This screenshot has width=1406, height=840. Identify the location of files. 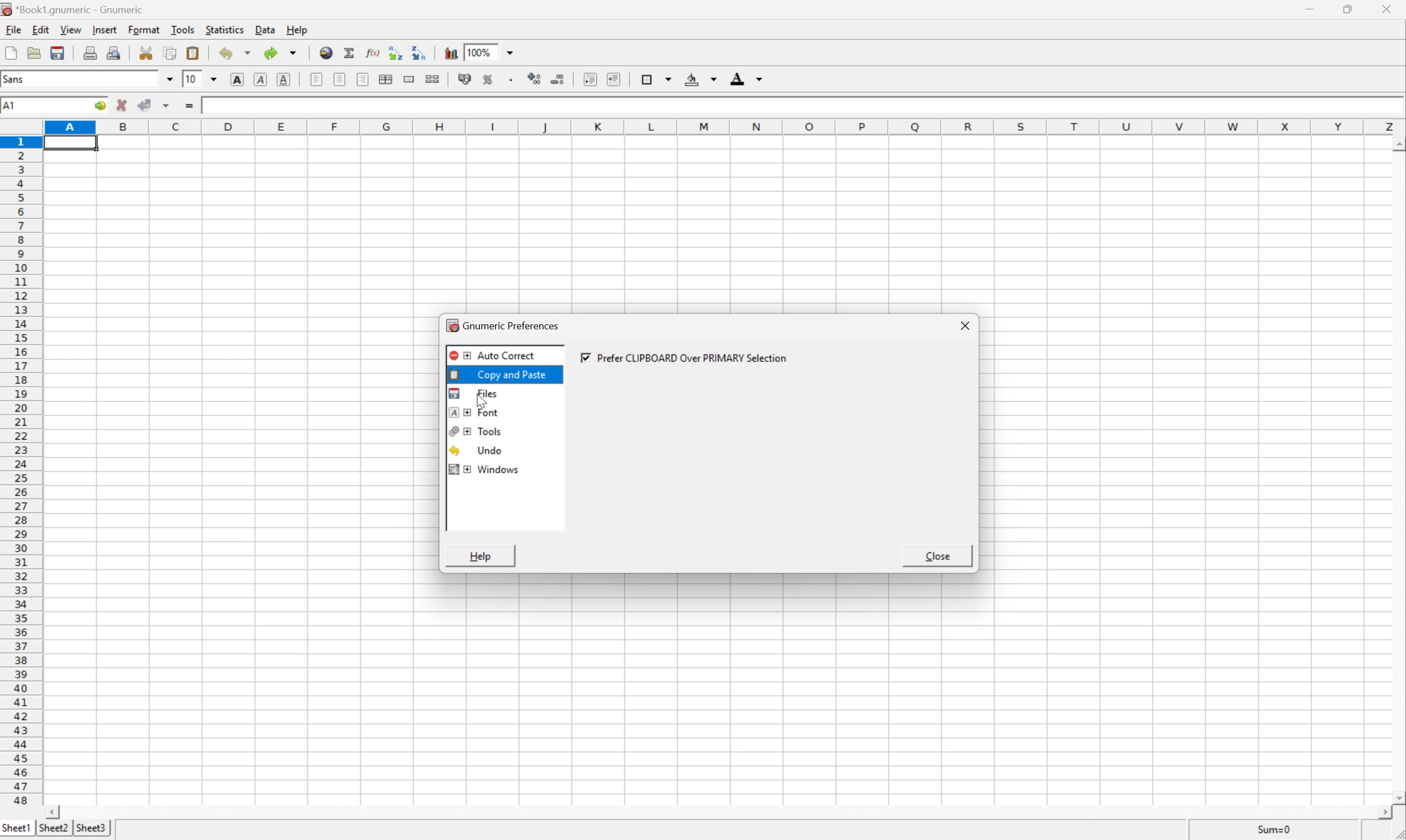
(471, 392).